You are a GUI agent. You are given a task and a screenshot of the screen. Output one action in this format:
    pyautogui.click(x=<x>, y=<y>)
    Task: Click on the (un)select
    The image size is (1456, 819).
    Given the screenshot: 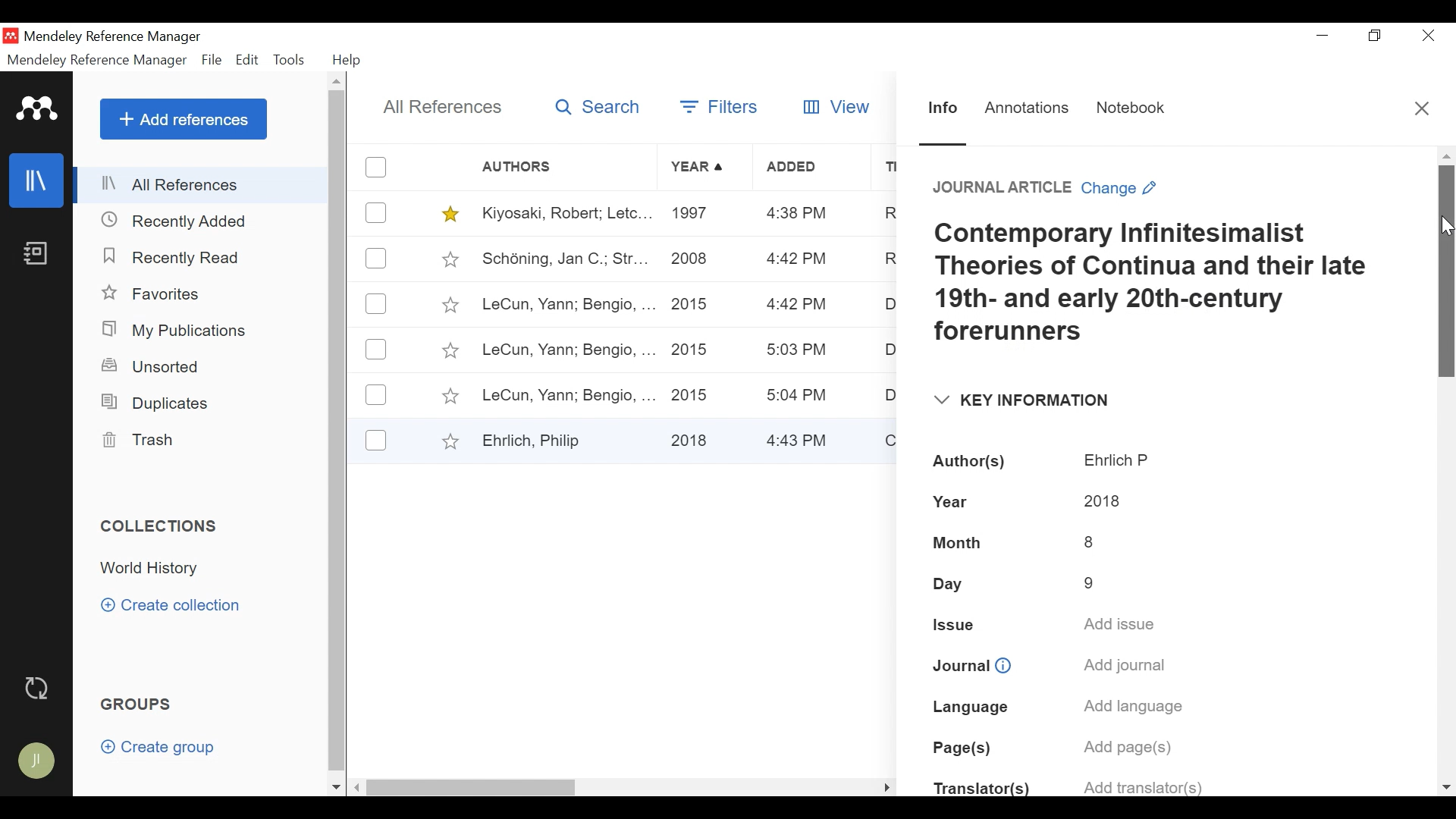 What is the action you would take?
    pyautogui.click(x=376, y=350)
    